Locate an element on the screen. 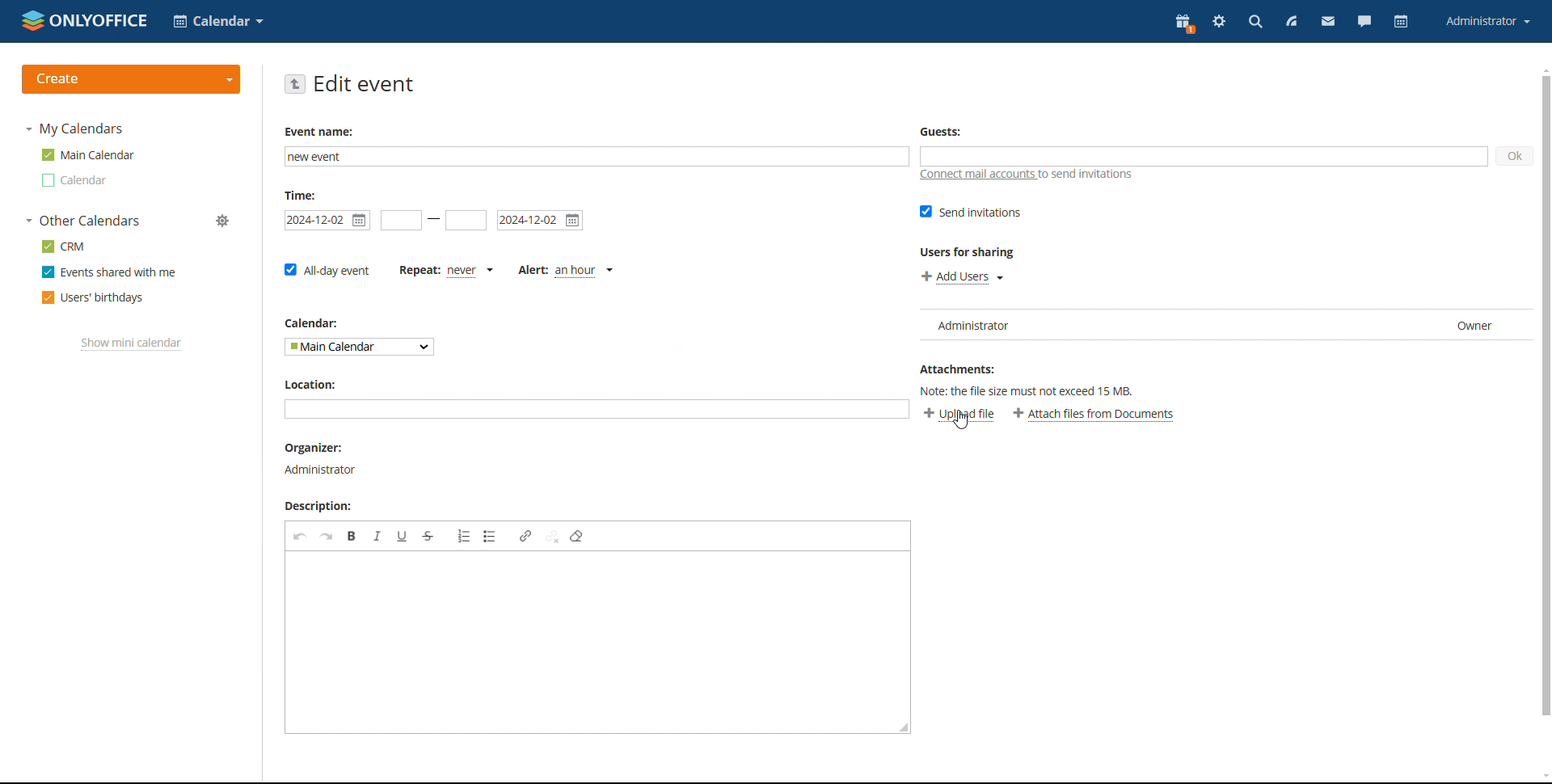 Image resolution: width=1552 pixels, height=784 pixels. show mini calendar is located at coordinates (132, 344).